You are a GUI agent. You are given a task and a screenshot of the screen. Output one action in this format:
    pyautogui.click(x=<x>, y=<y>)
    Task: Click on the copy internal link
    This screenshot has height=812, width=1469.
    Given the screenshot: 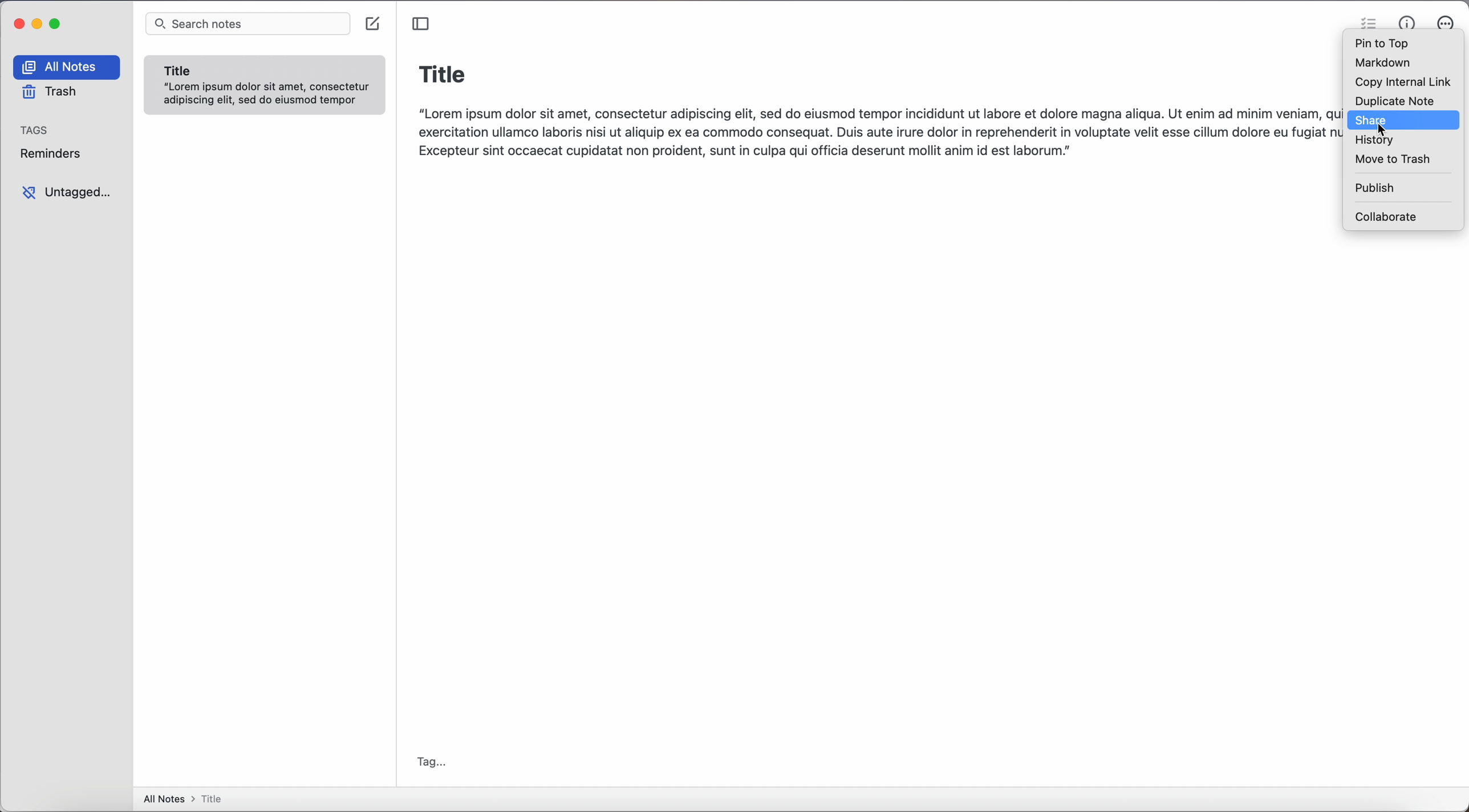 What is the action you would take?
    pyautogui.click(x=1402, y=83)
    